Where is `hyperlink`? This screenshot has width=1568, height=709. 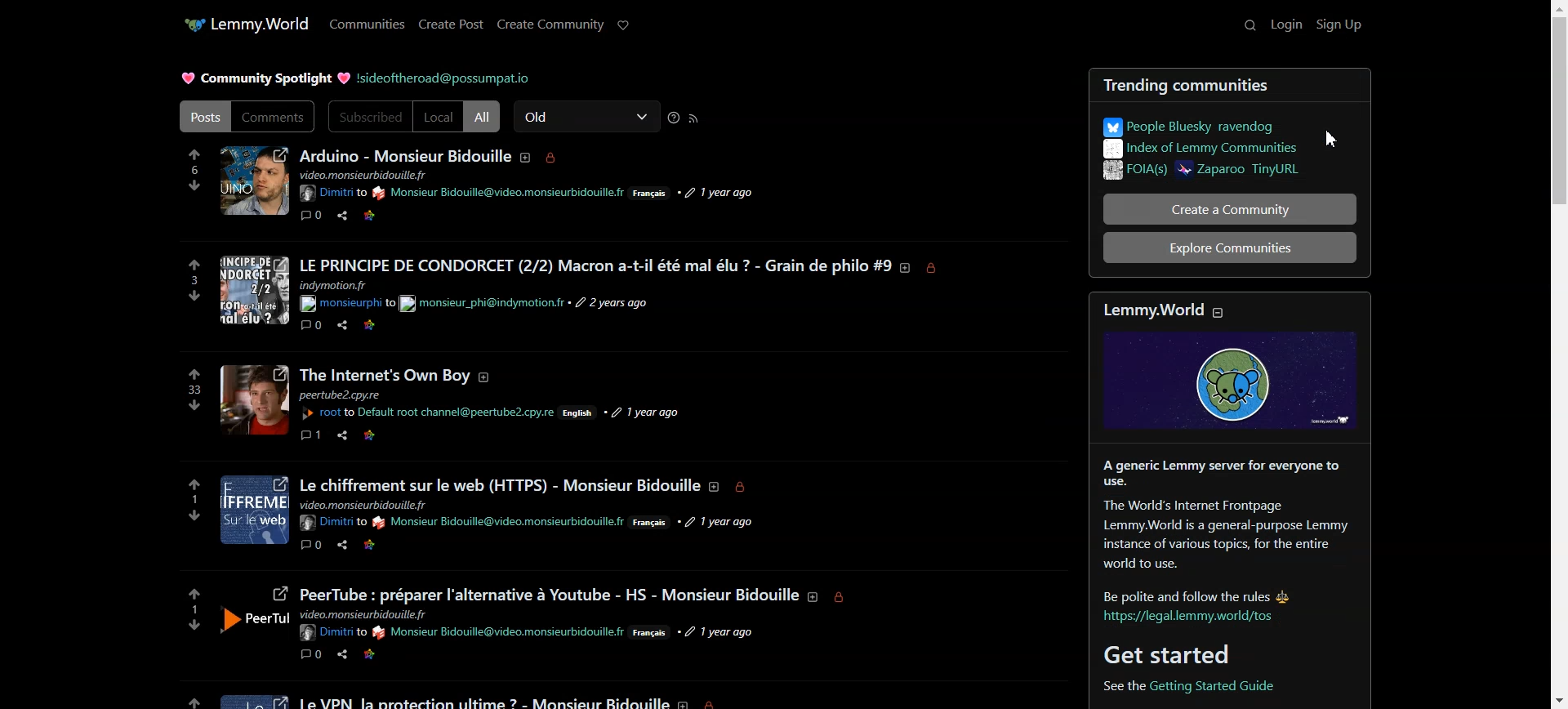 hyperlink is located at coordinates (332, 633).